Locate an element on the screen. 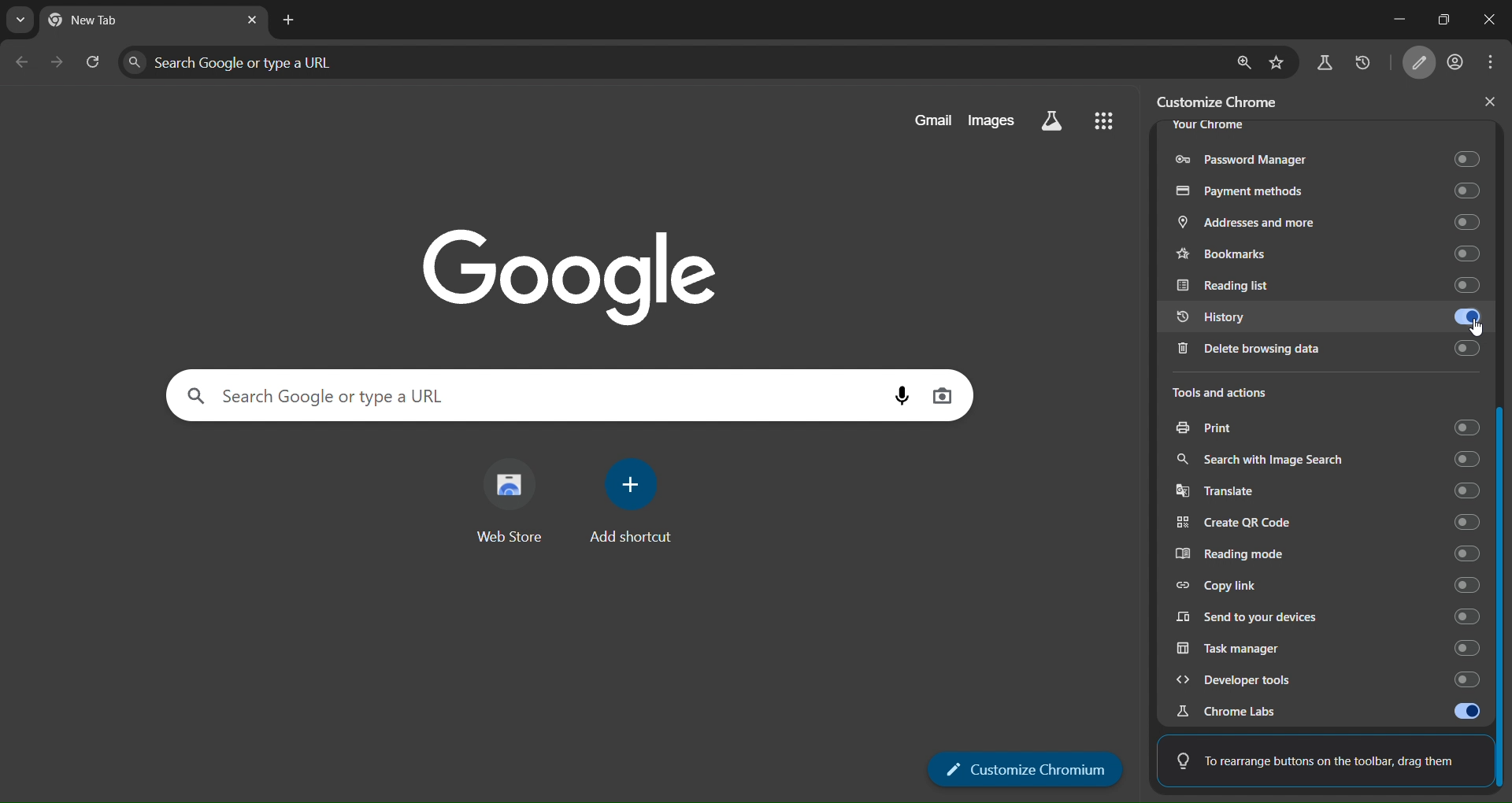 Image resolution: width=1512 pixels, height=803 pixels. reading list is located at coordinates (1324, 285).